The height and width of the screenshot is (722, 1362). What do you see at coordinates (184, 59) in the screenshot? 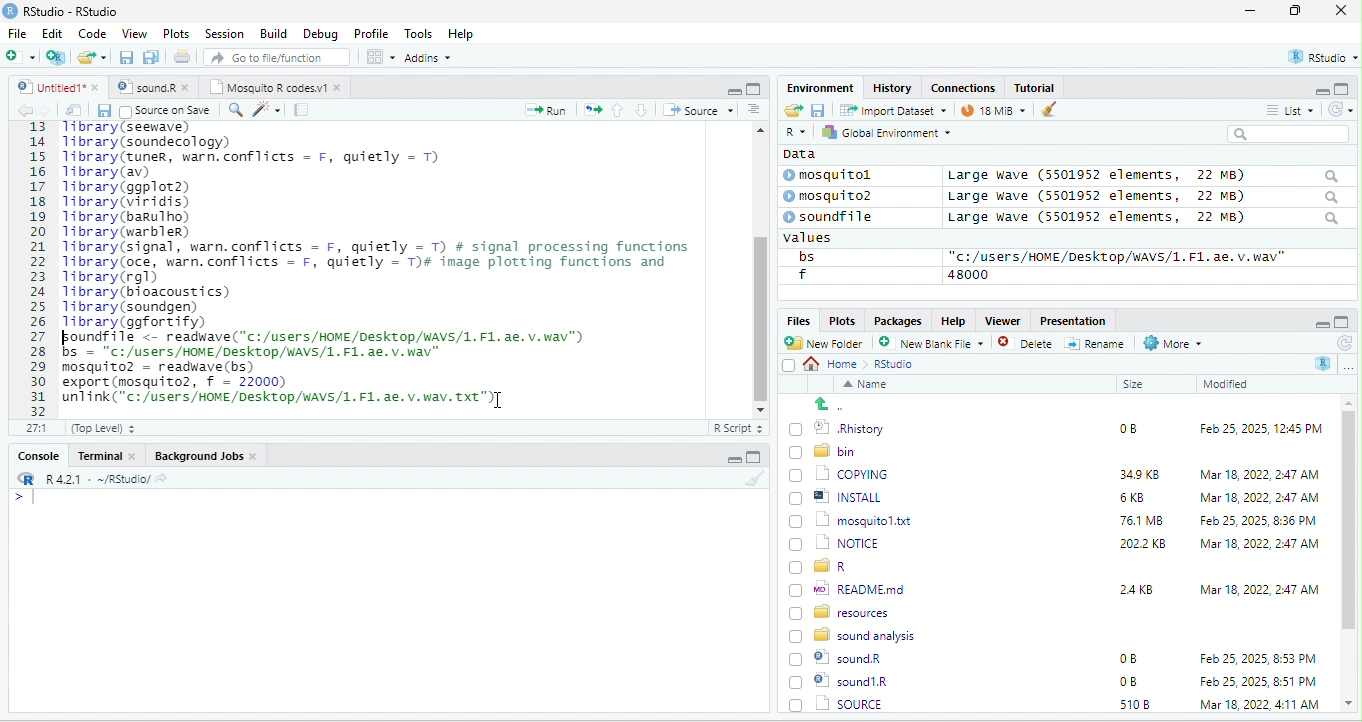
I see `open` at bounding box center [184, 59].